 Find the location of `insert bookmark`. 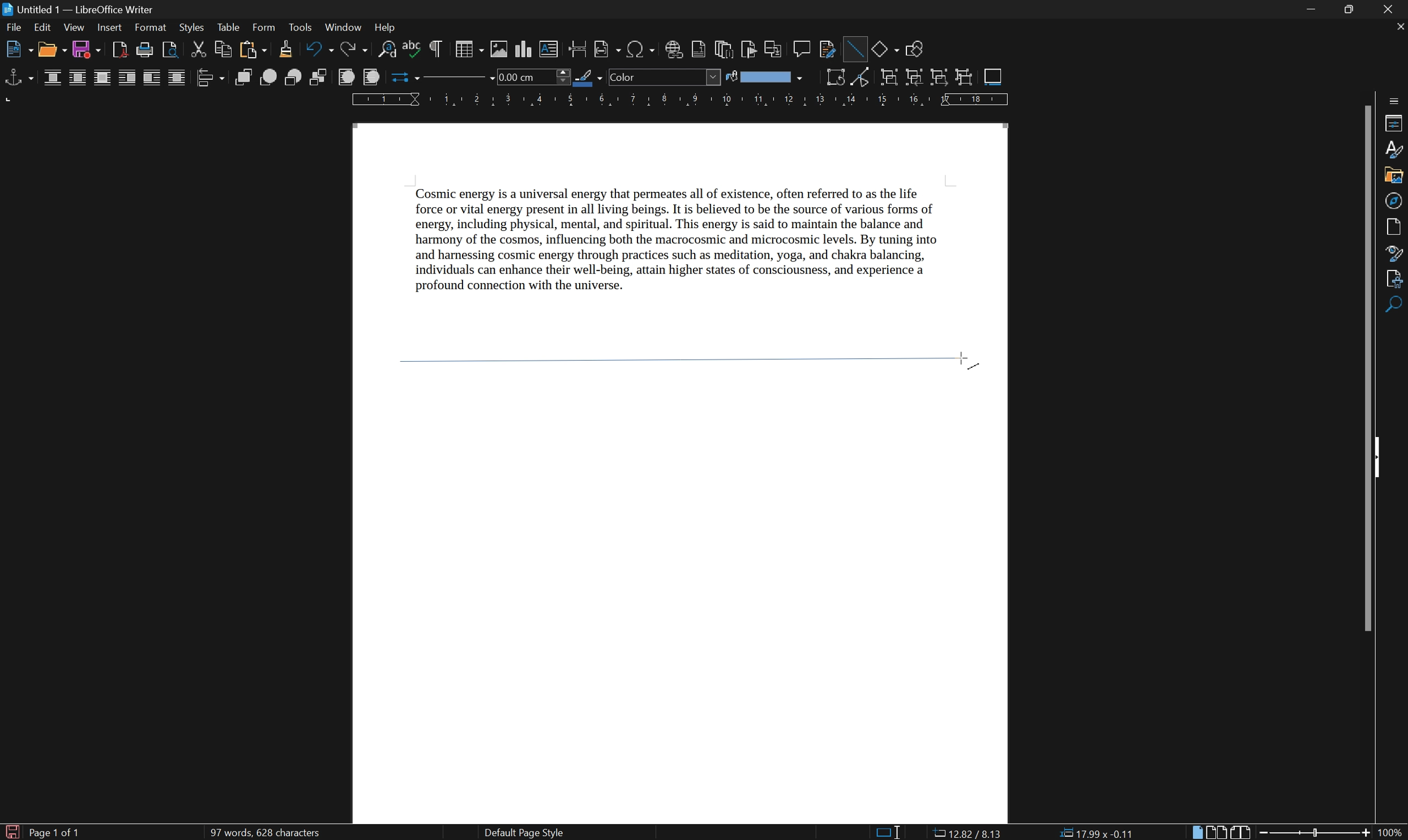

insert bookmark is located at coordinates (752, 50).